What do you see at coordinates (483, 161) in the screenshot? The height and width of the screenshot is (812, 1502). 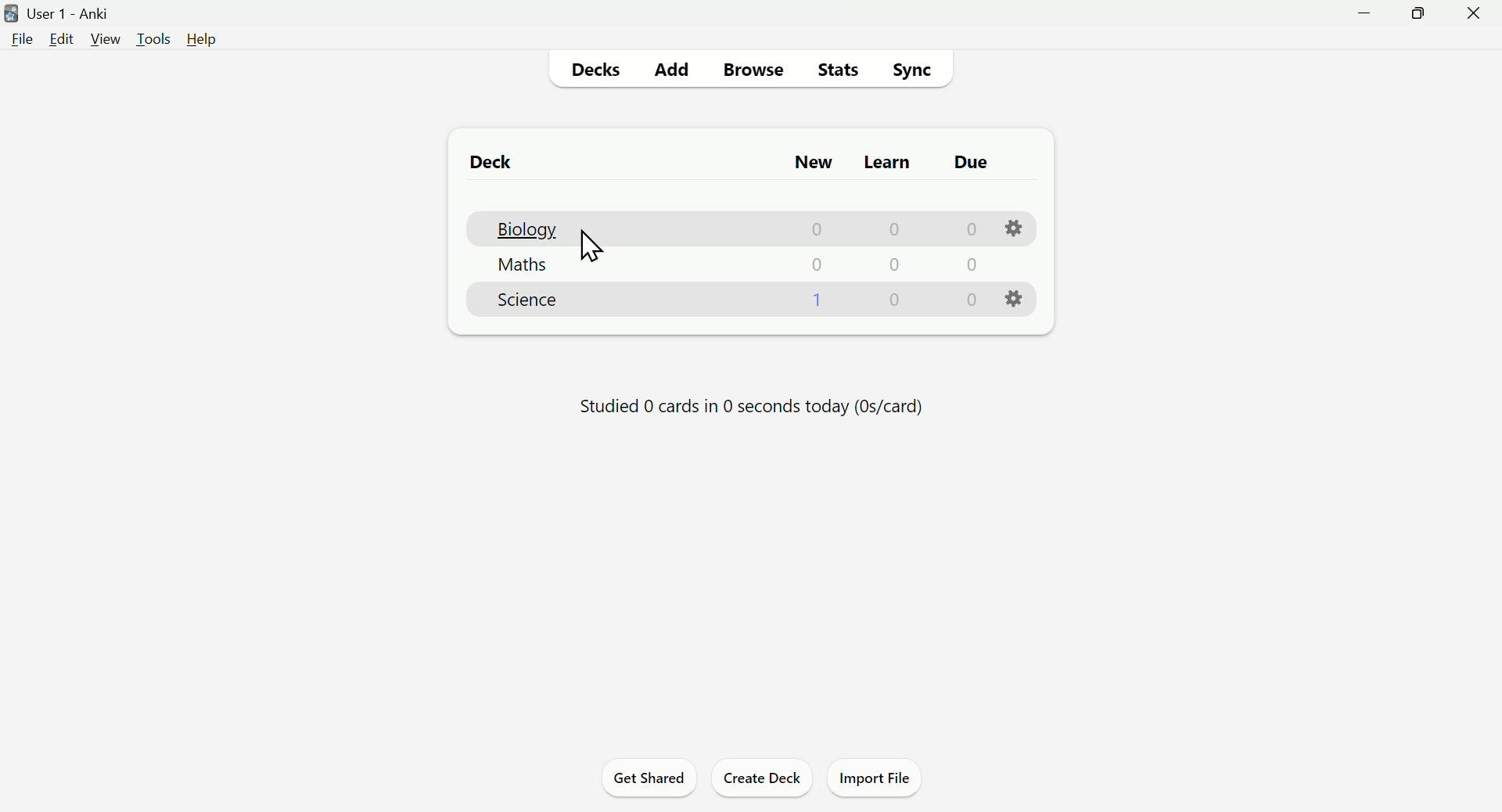 I see `Deck` at bounding box center [483, 161].